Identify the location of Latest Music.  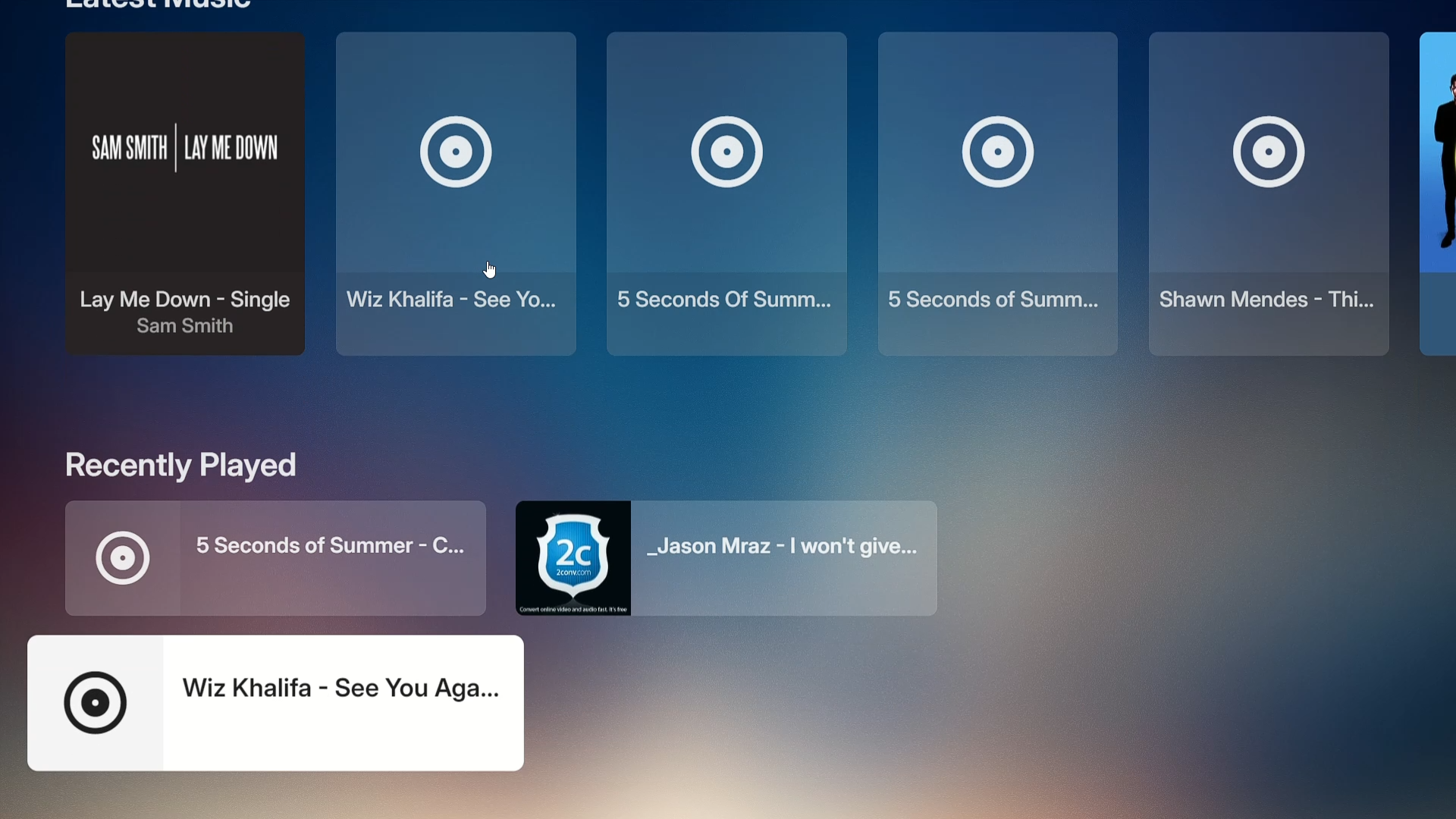
(158, 6).